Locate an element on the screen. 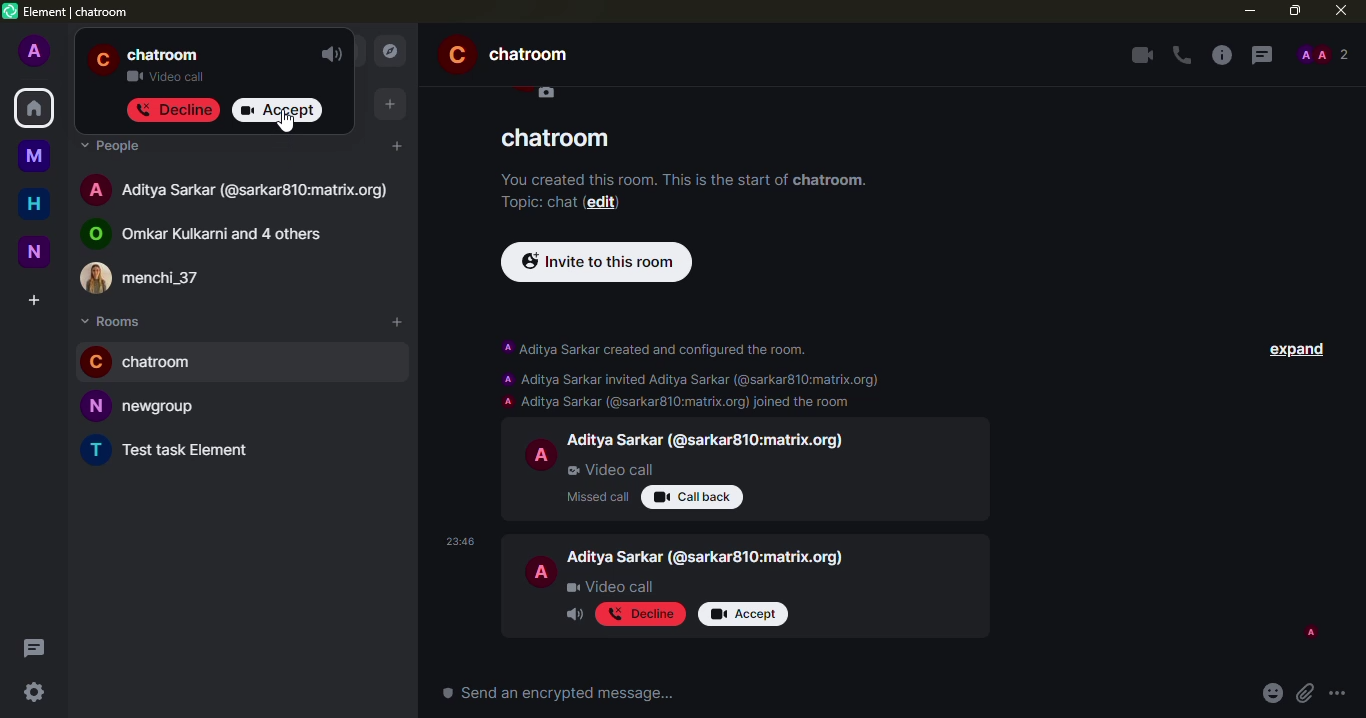 This screenshot has height=718, width=1366. attach is located at coordinates (1304, 693).